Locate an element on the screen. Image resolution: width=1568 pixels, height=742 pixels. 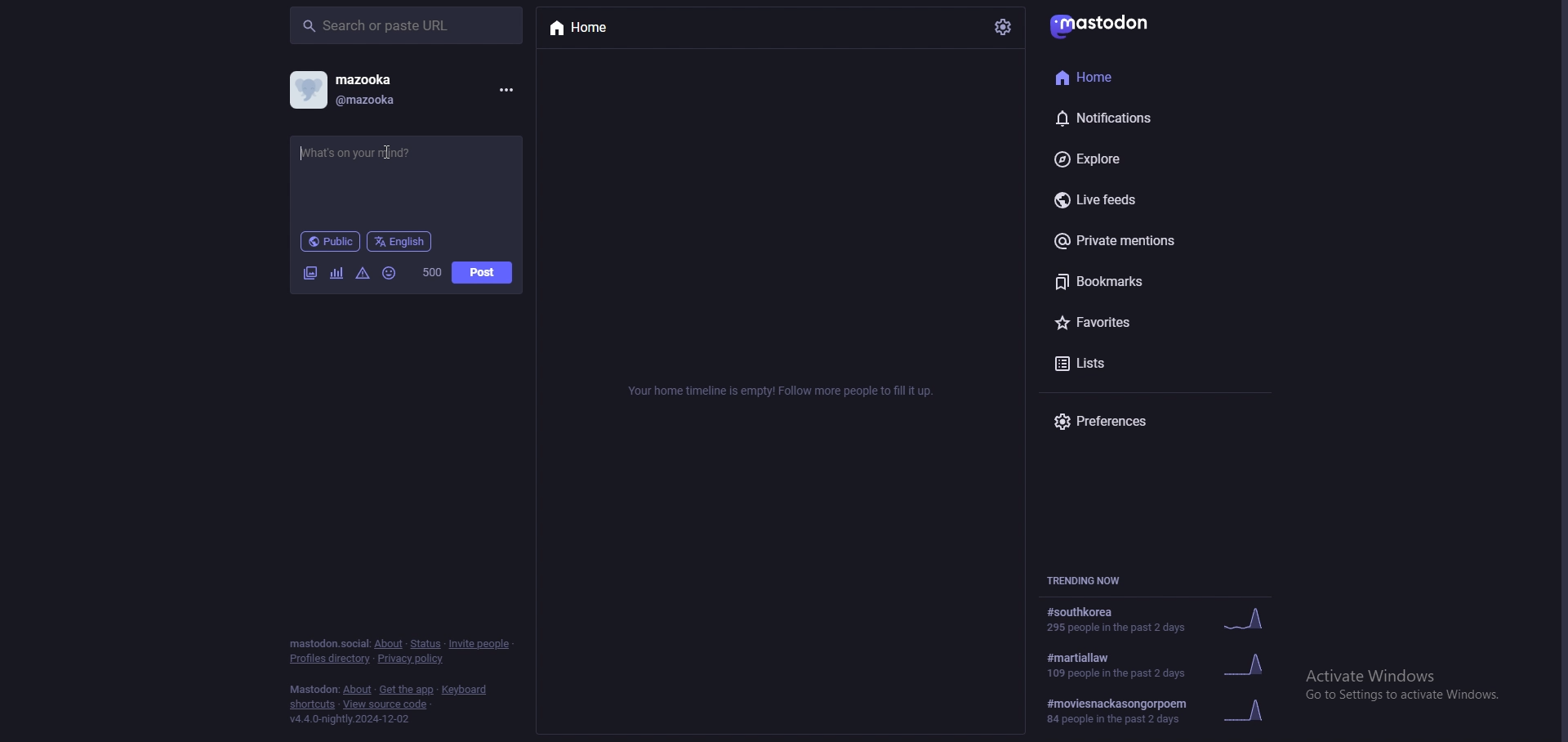
keyboard is located at coordinates (463, 689).